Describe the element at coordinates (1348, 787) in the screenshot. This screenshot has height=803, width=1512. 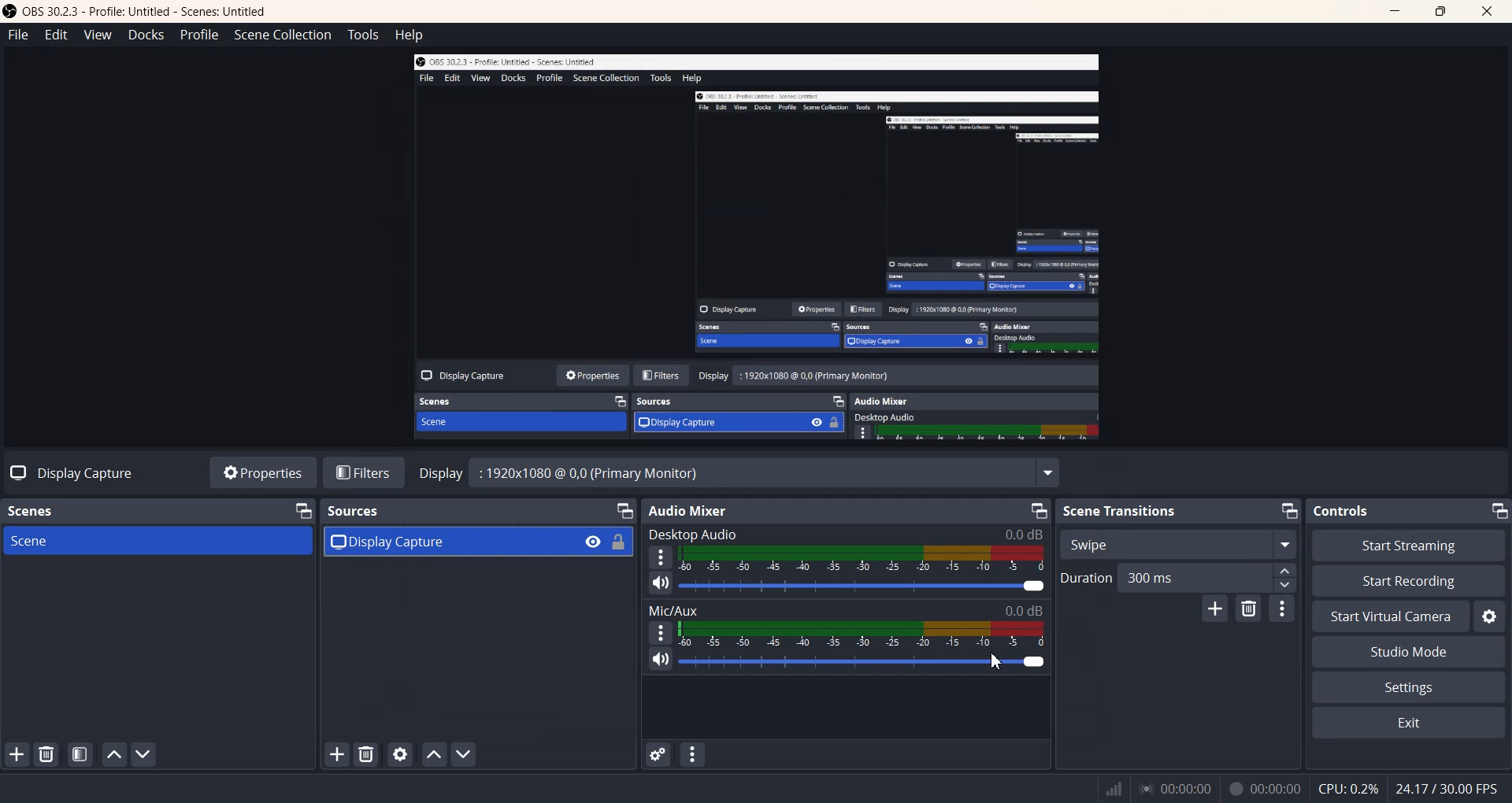
I see `CPU: 0.3%` at that location.